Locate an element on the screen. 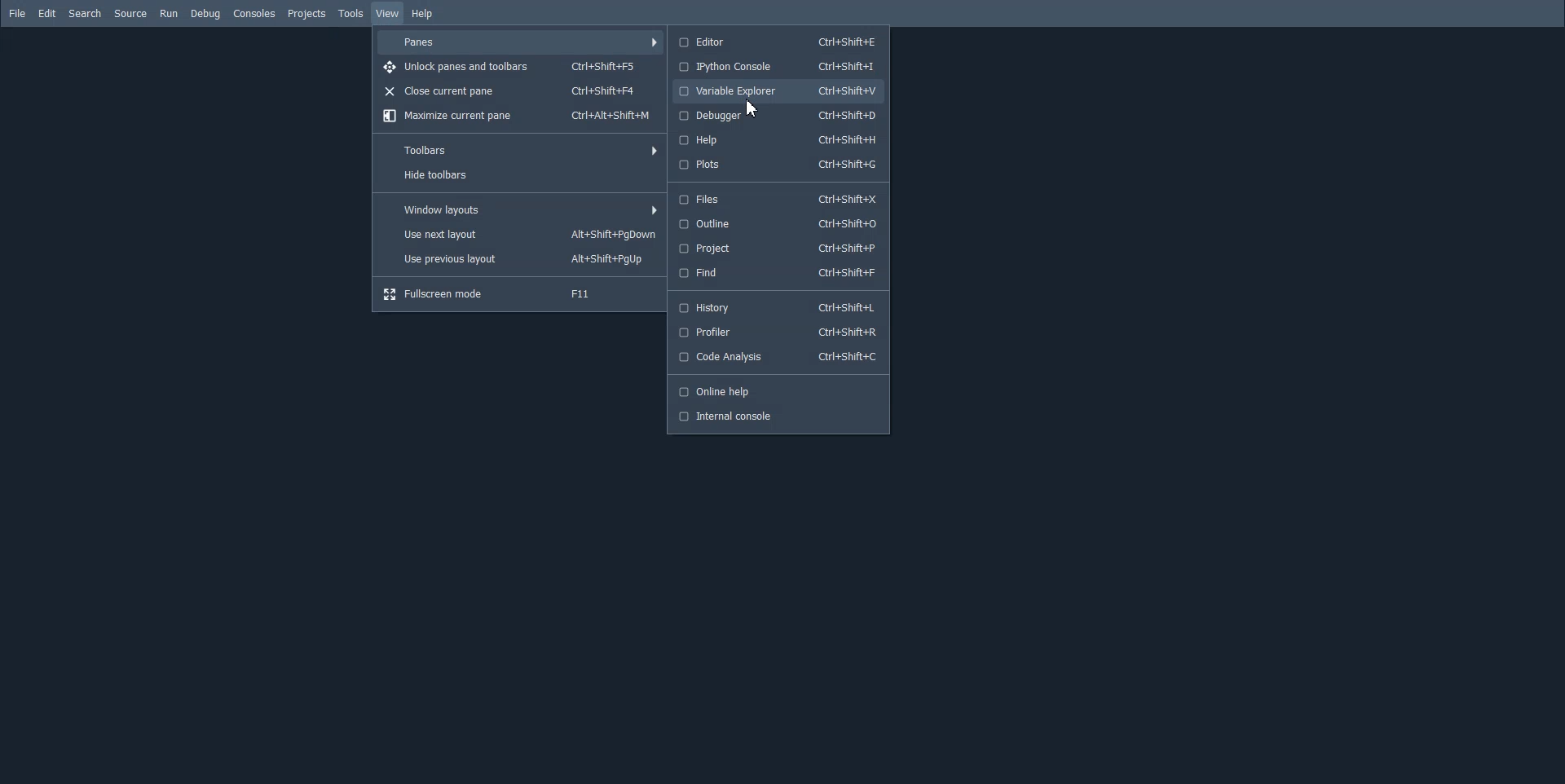 This screenshot has width=1565, height=784. History is located at coordinates (777, 307).